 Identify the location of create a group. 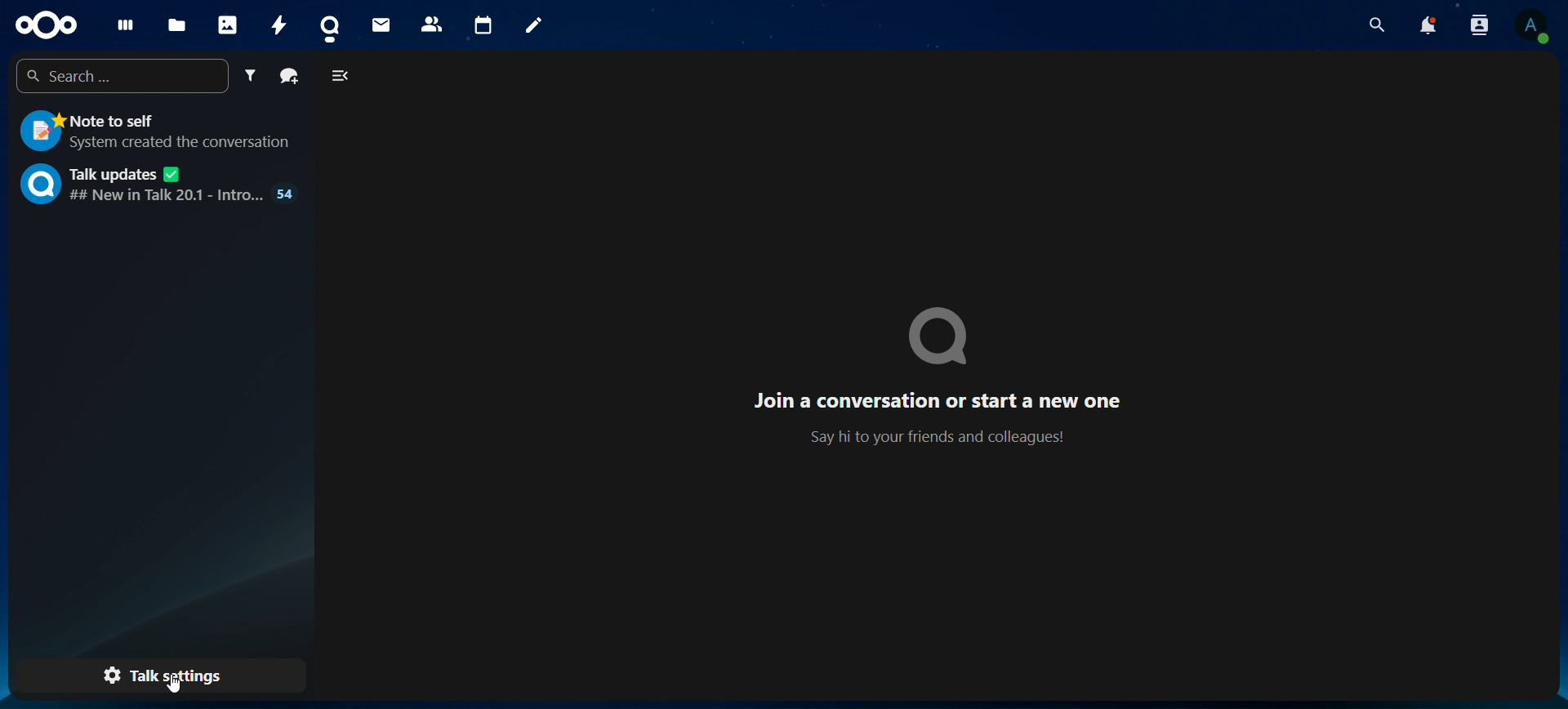
(291, 77).